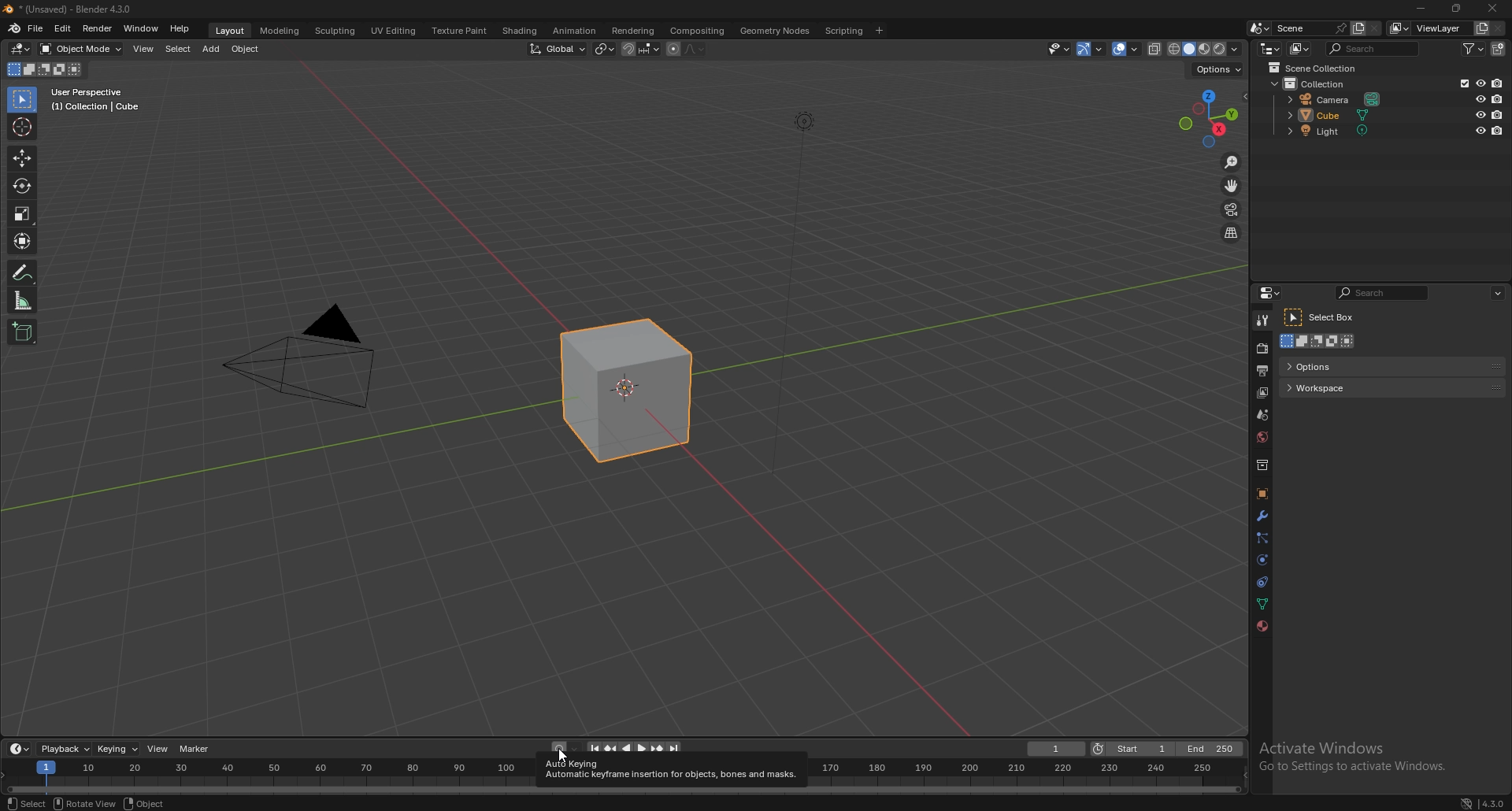 This screenshot has height=811, width=1512. Describe the element at coordinates (21, 185) in the screenshot. I see `rotate` at that location.